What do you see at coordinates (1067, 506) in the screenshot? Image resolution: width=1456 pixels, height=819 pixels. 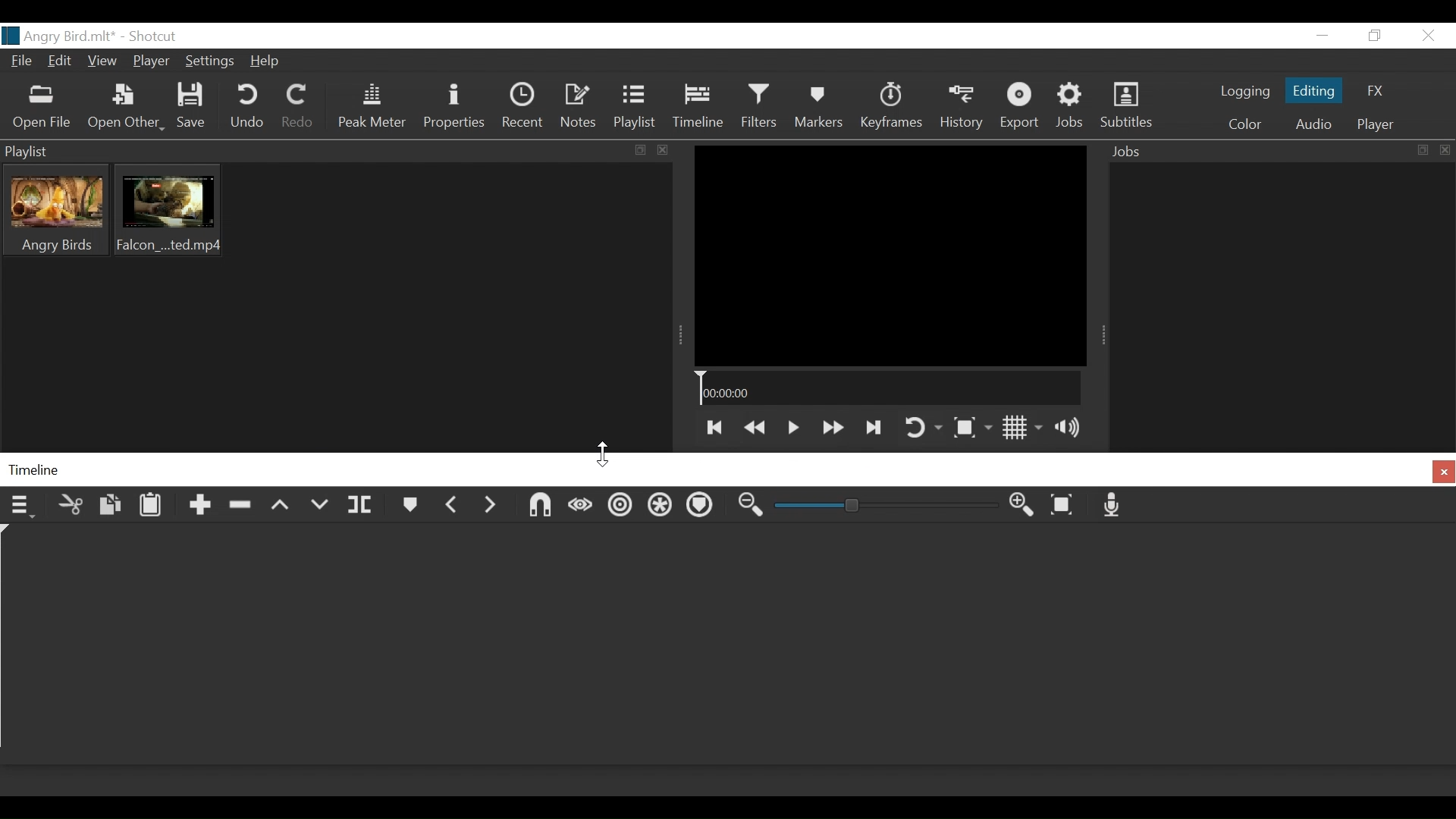 I see `Zoom timeline to fit` at bounding box center [1067, 506].